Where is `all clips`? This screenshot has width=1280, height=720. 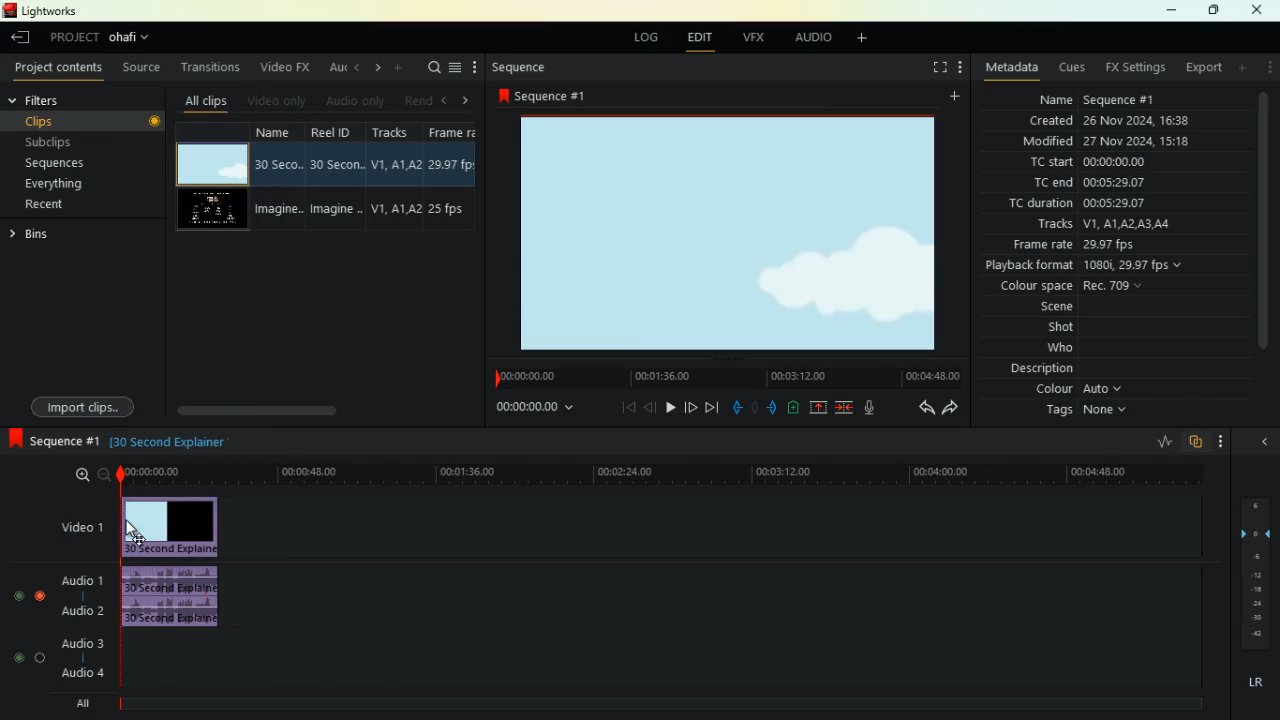 all clips is located at coordinates (210, 101).